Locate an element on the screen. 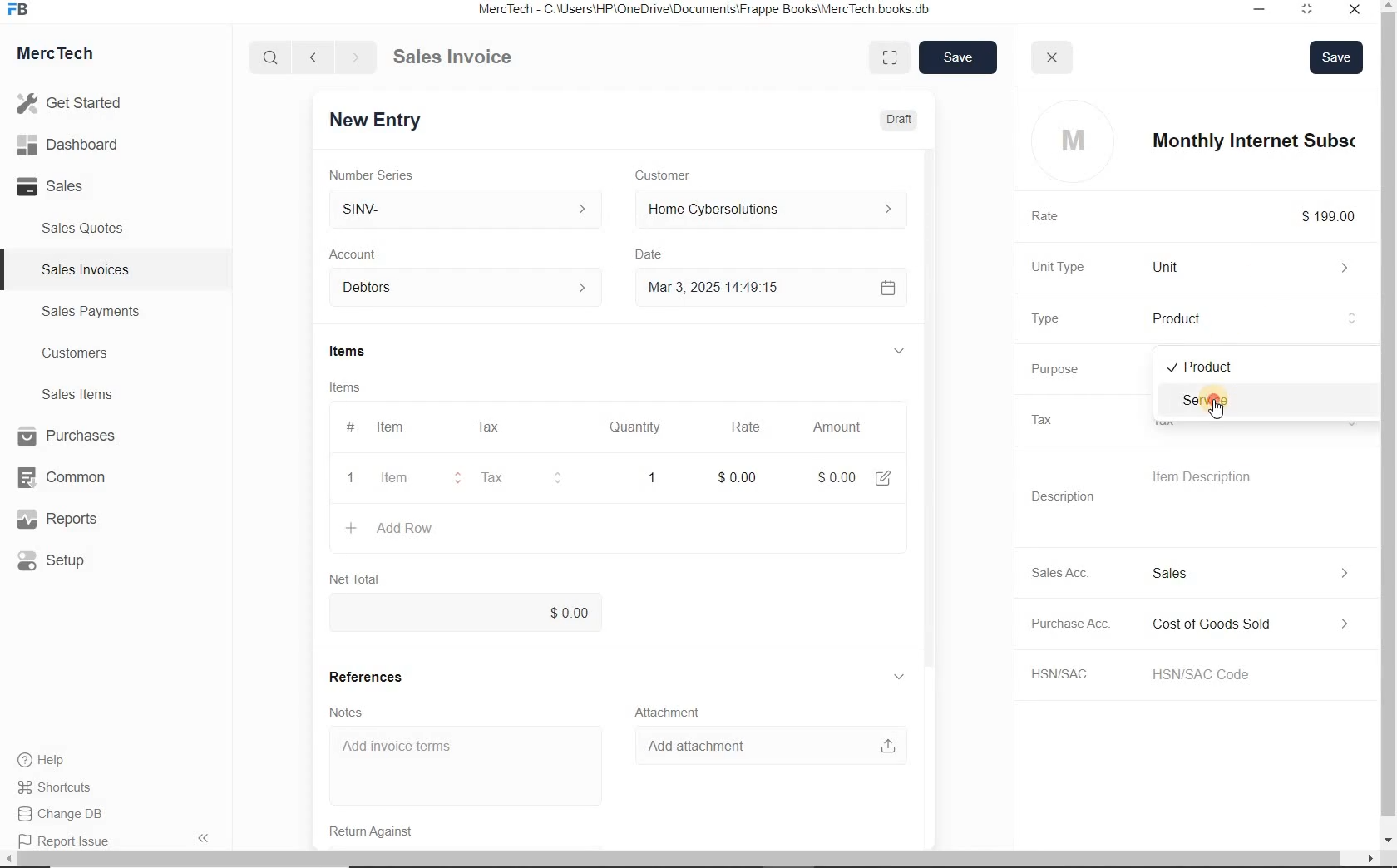  Date is located at coordinates (661, 254).